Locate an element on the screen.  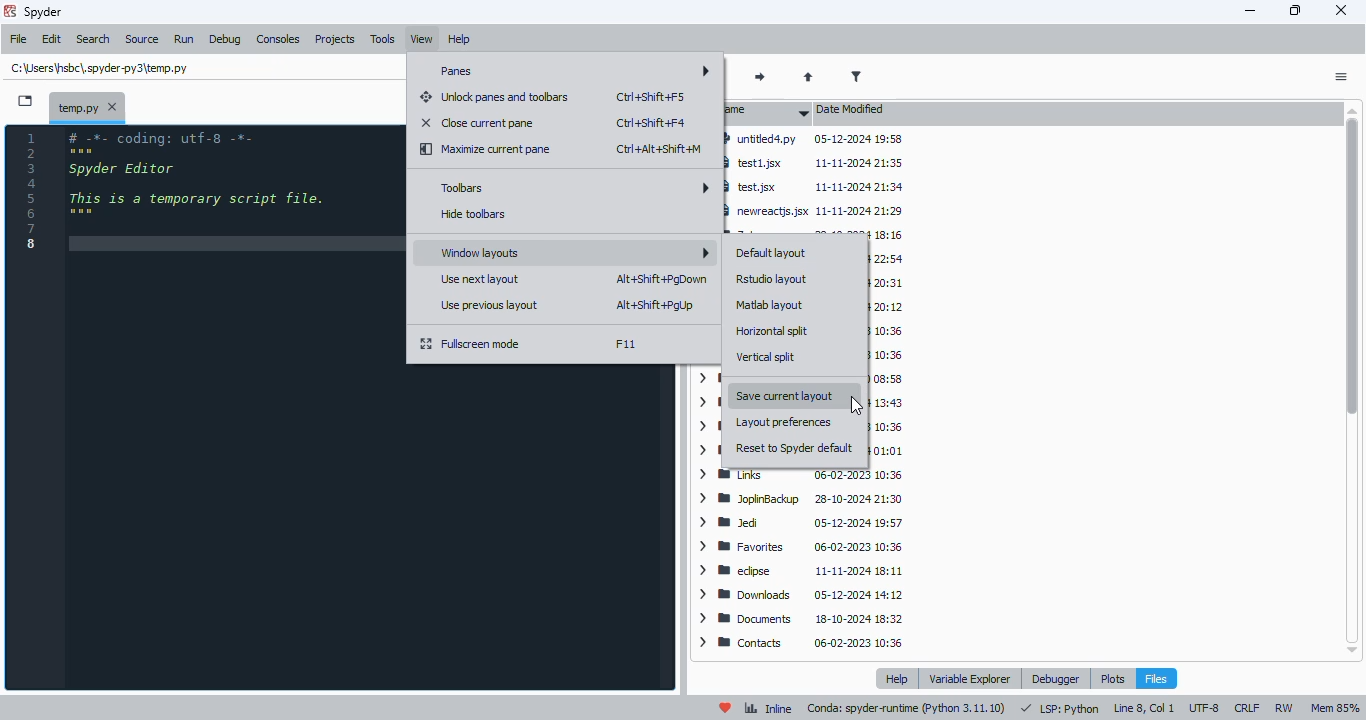
next is located at coordinates (760, 78).